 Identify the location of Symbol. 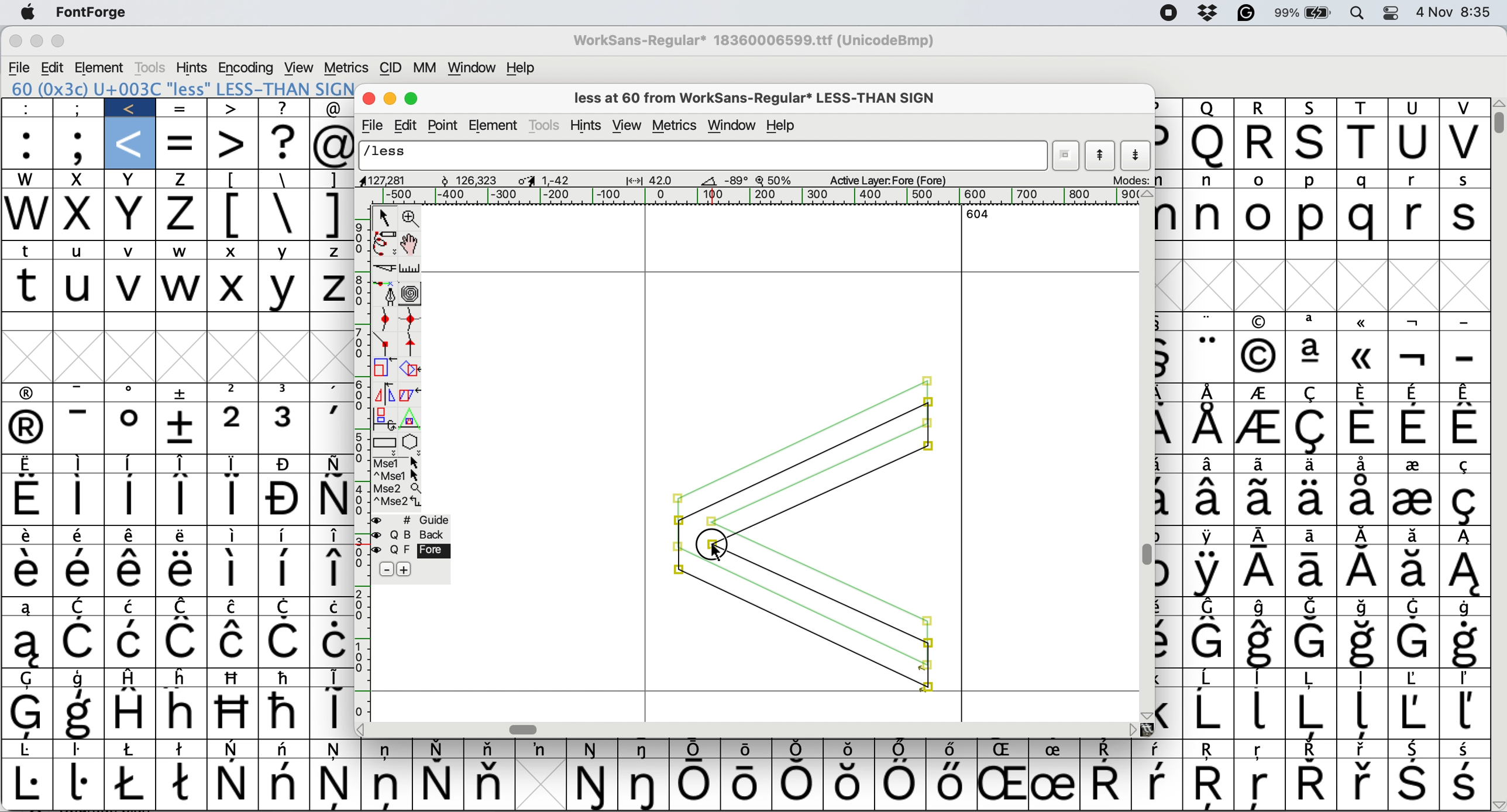
(1466, 608).